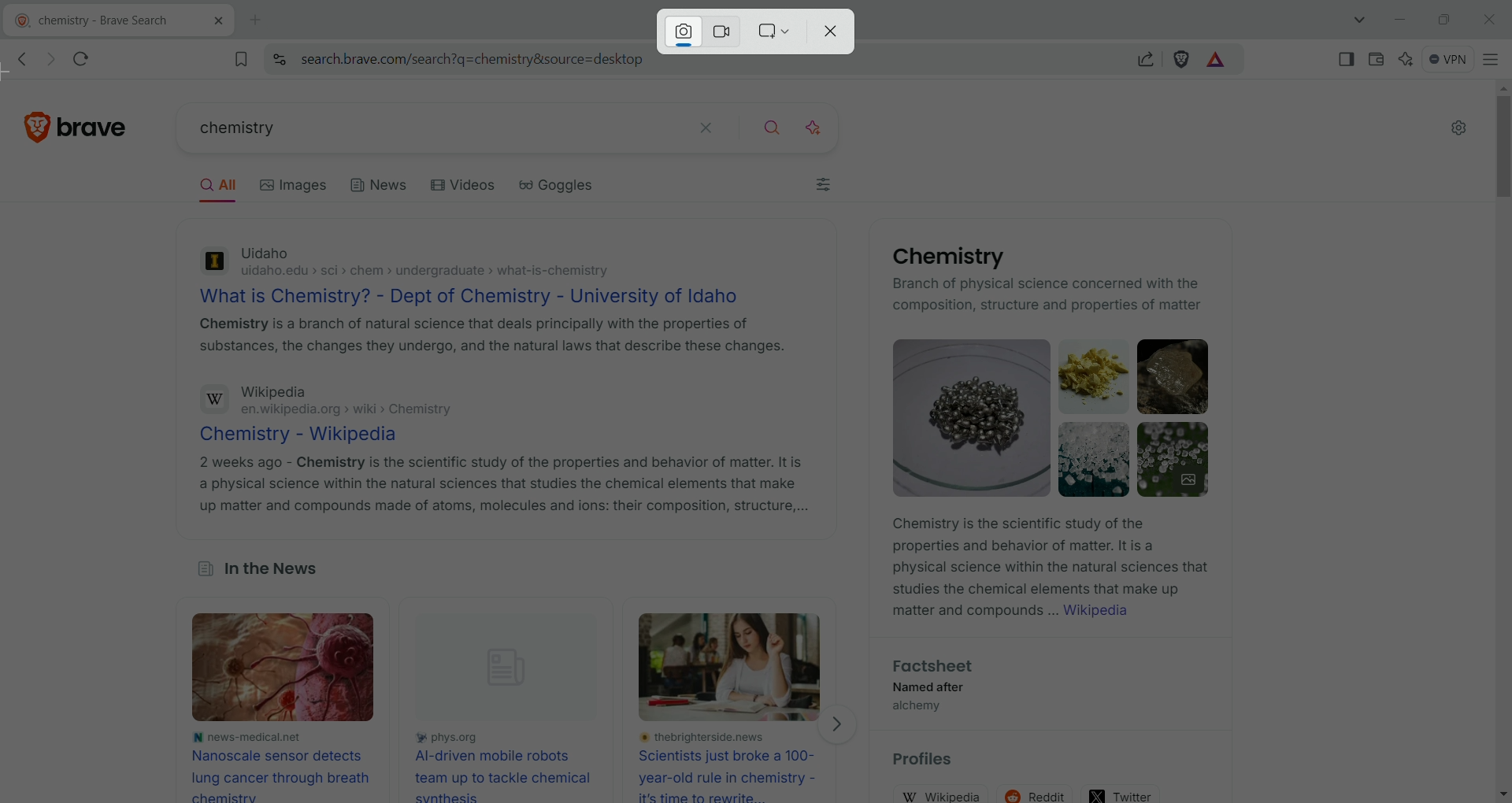 This screenshot has height=803, width=1512. I want to click on record, so click(726, 30).